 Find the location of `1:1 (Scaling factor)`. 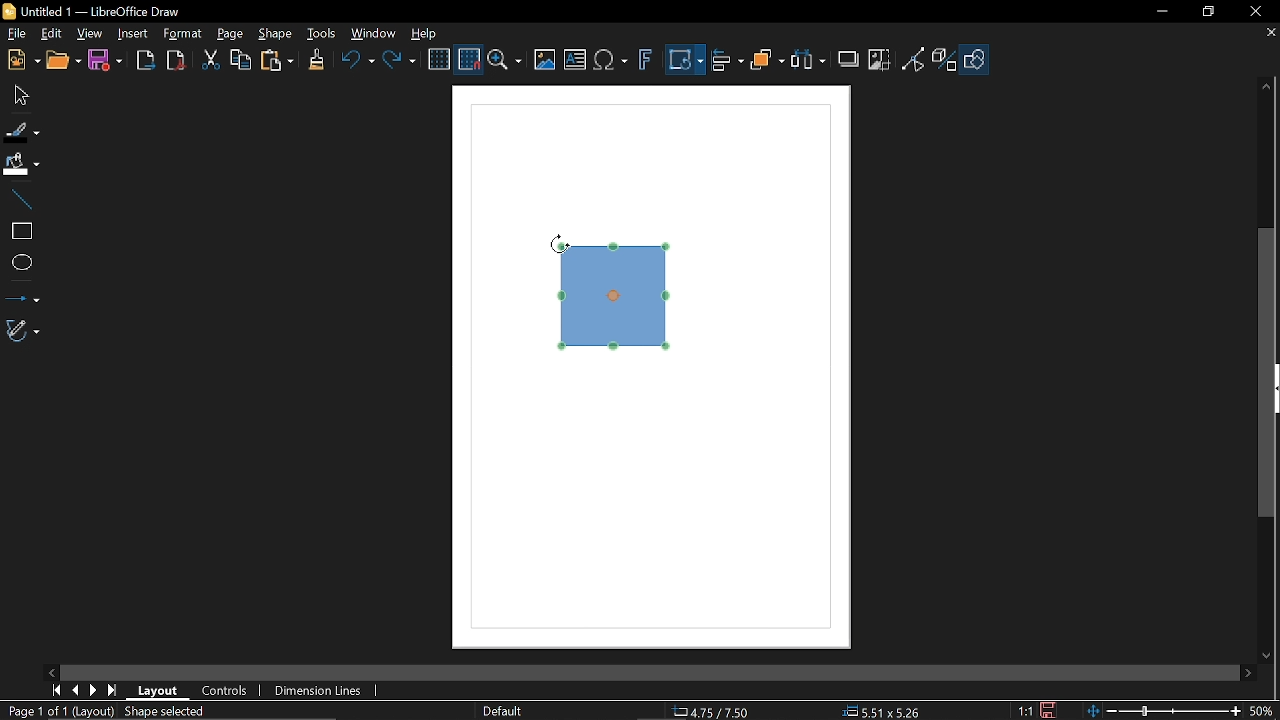

1:1 (Scaling factor) is located at coordinates (1026, 712).